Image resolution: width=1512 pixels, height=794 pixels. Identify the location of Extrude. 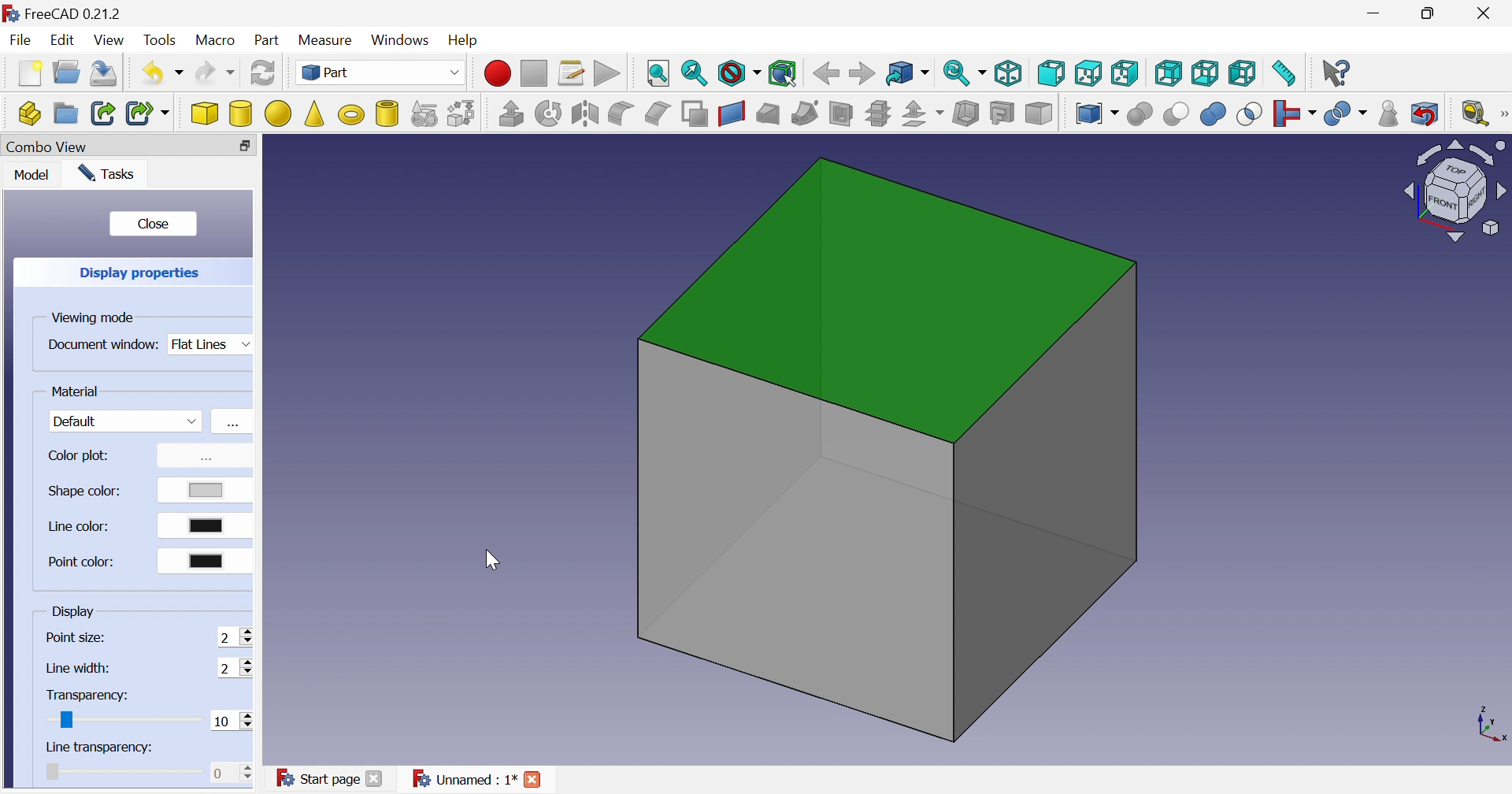
(511, 114).